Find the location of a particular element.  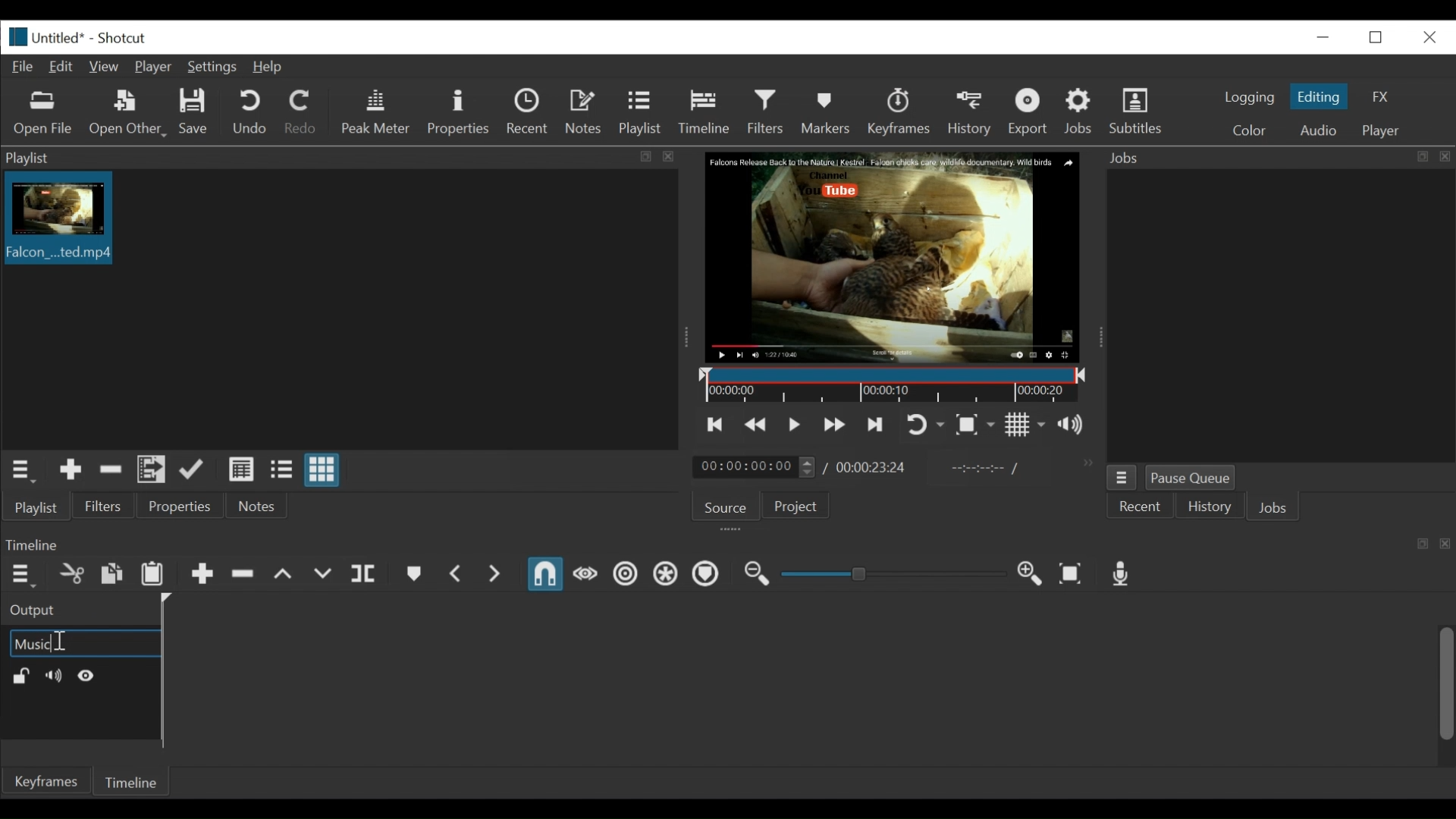

Jons is located at coordinates (1275, 509).